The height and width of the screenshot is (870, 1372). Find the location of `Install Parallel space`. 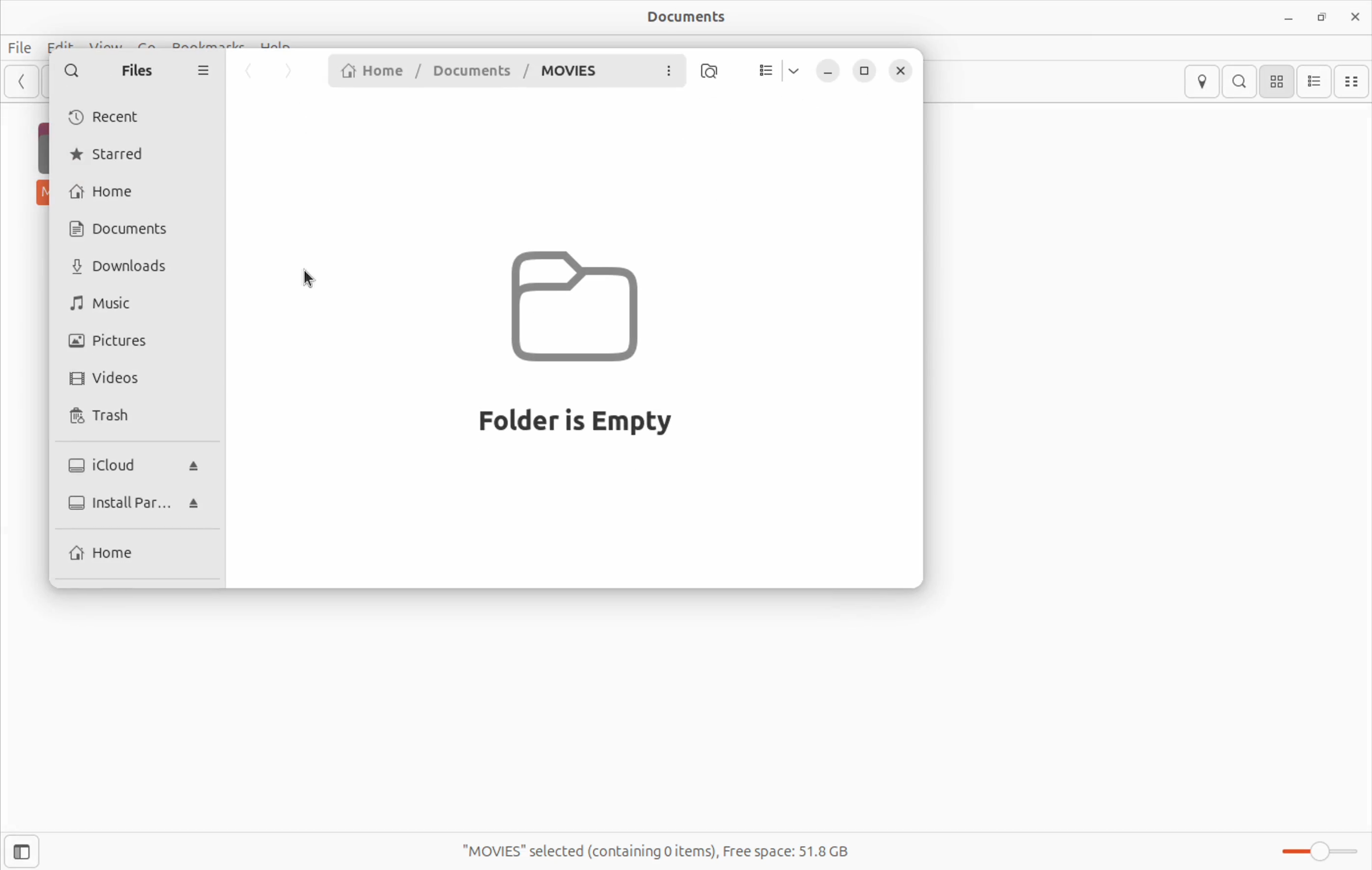

Install Parallel space is located at coordinates (130, 502).